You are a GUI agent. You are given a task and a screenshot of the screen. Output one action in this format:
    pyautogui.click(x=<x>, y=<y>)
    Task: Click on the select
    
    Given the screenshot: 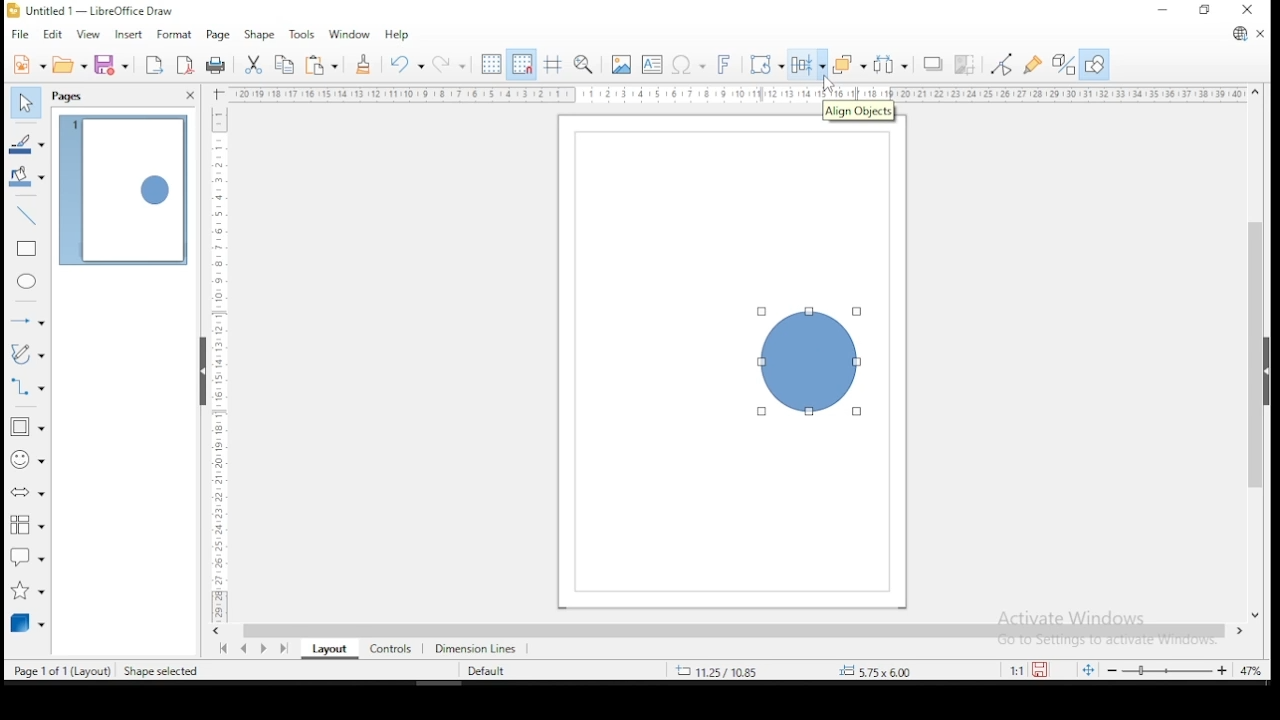 What is the action you would take?
    pyautogui.click(x=24, y=100)
    